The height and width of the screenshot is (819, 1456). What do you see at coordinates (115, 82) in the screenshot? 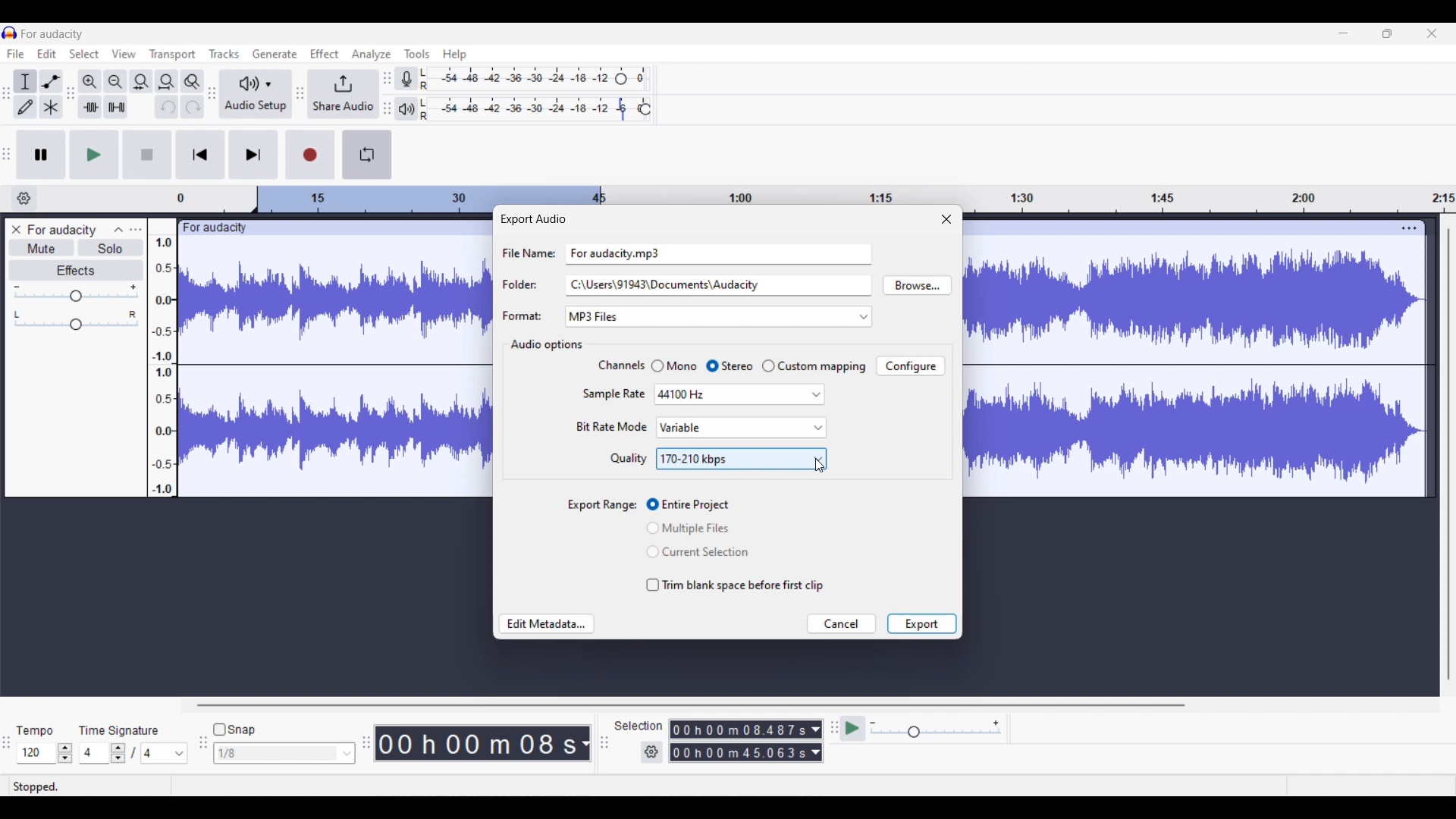
I see `Zoom out` at bounding box center [115, 82].